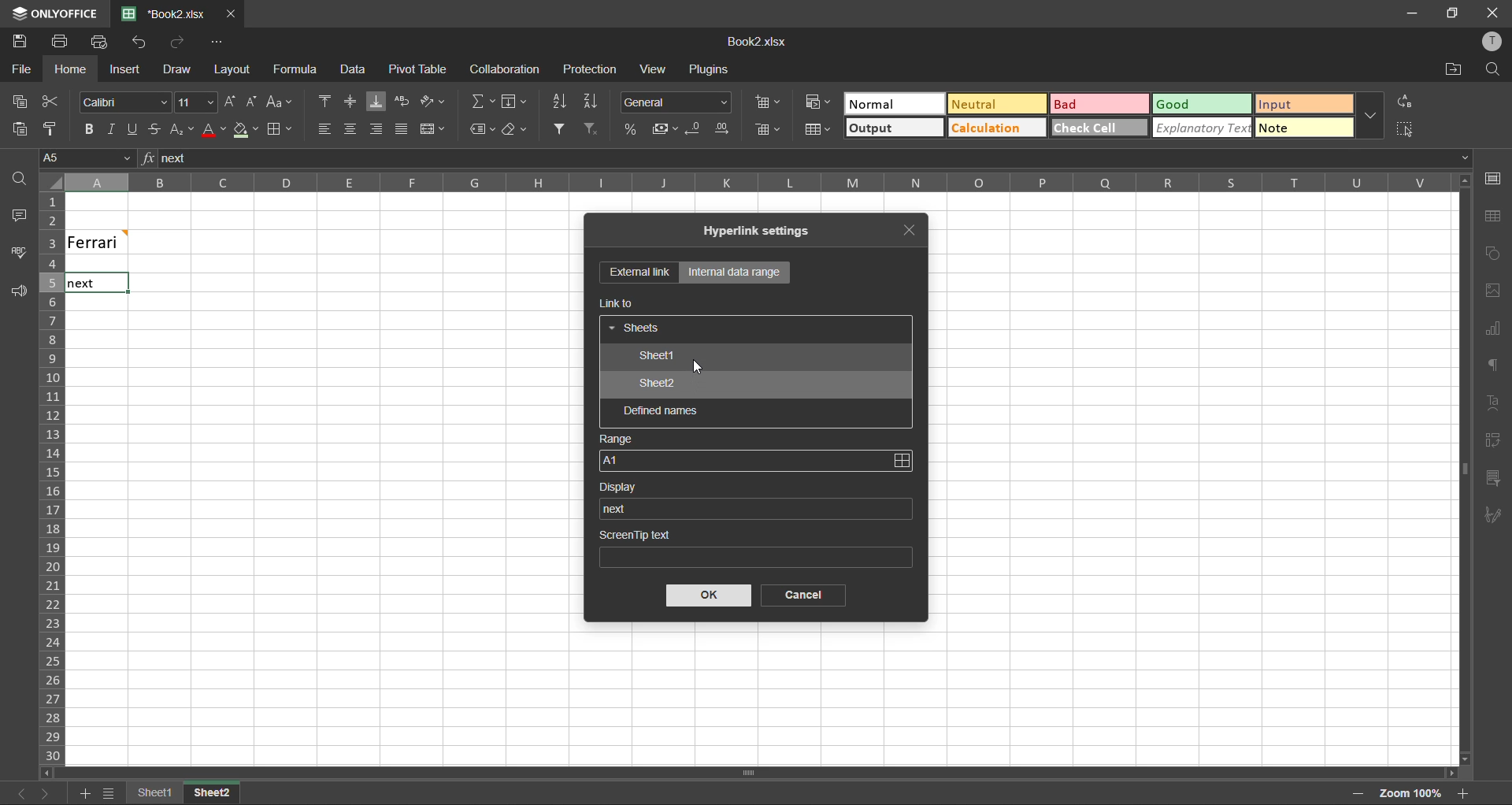 The height and width of the screenshot is (805, 1512). Describe the element at coordinates (228, 794) in the screenshot. I see `sheet 2` at that location.